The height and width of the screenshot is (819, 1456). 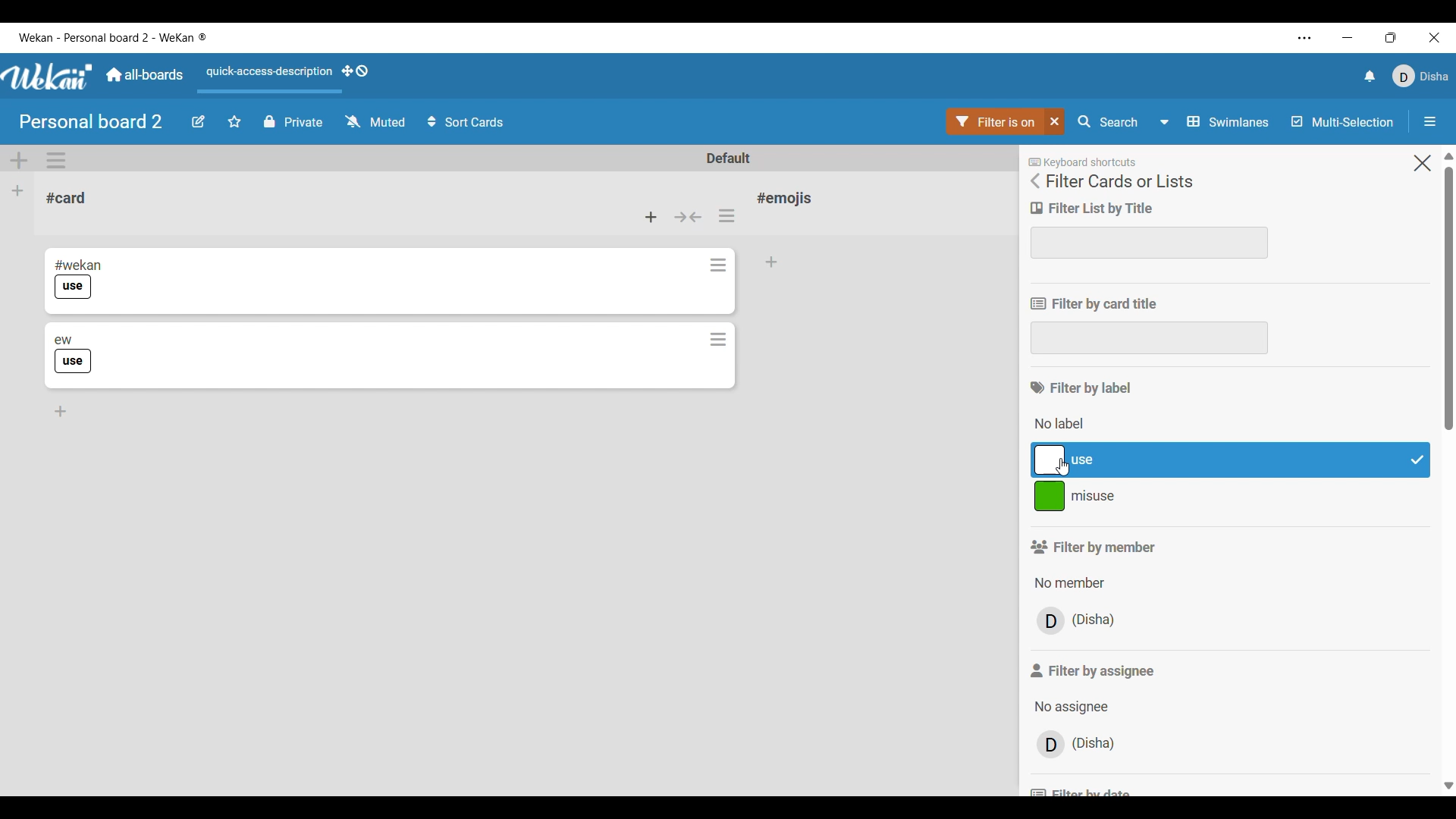 I want to click on Card name, so click(x=788, y=198).